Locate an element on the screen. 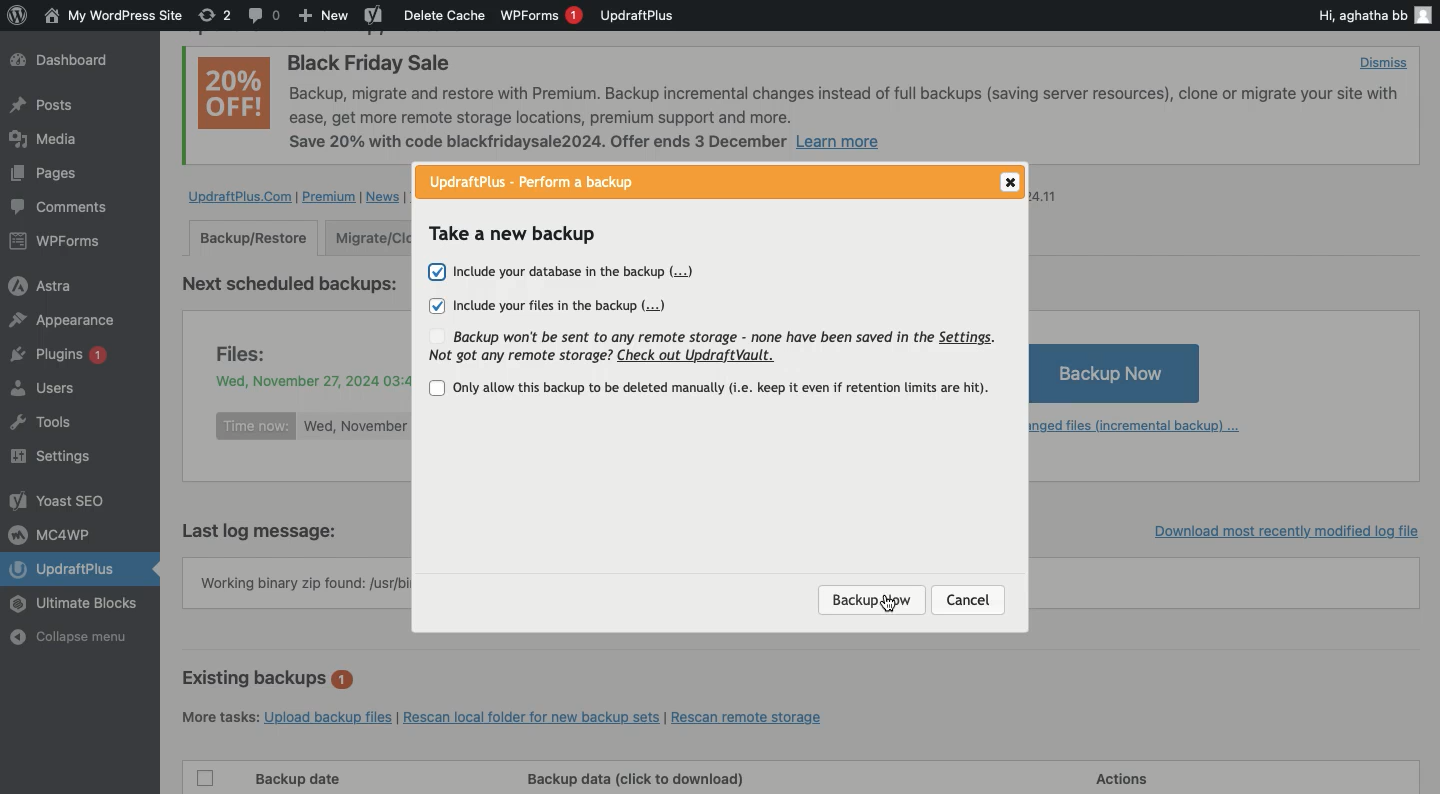 The width and height of the screenshot is (1440, 794). Upload backup files is located at coordinates (329, 714).